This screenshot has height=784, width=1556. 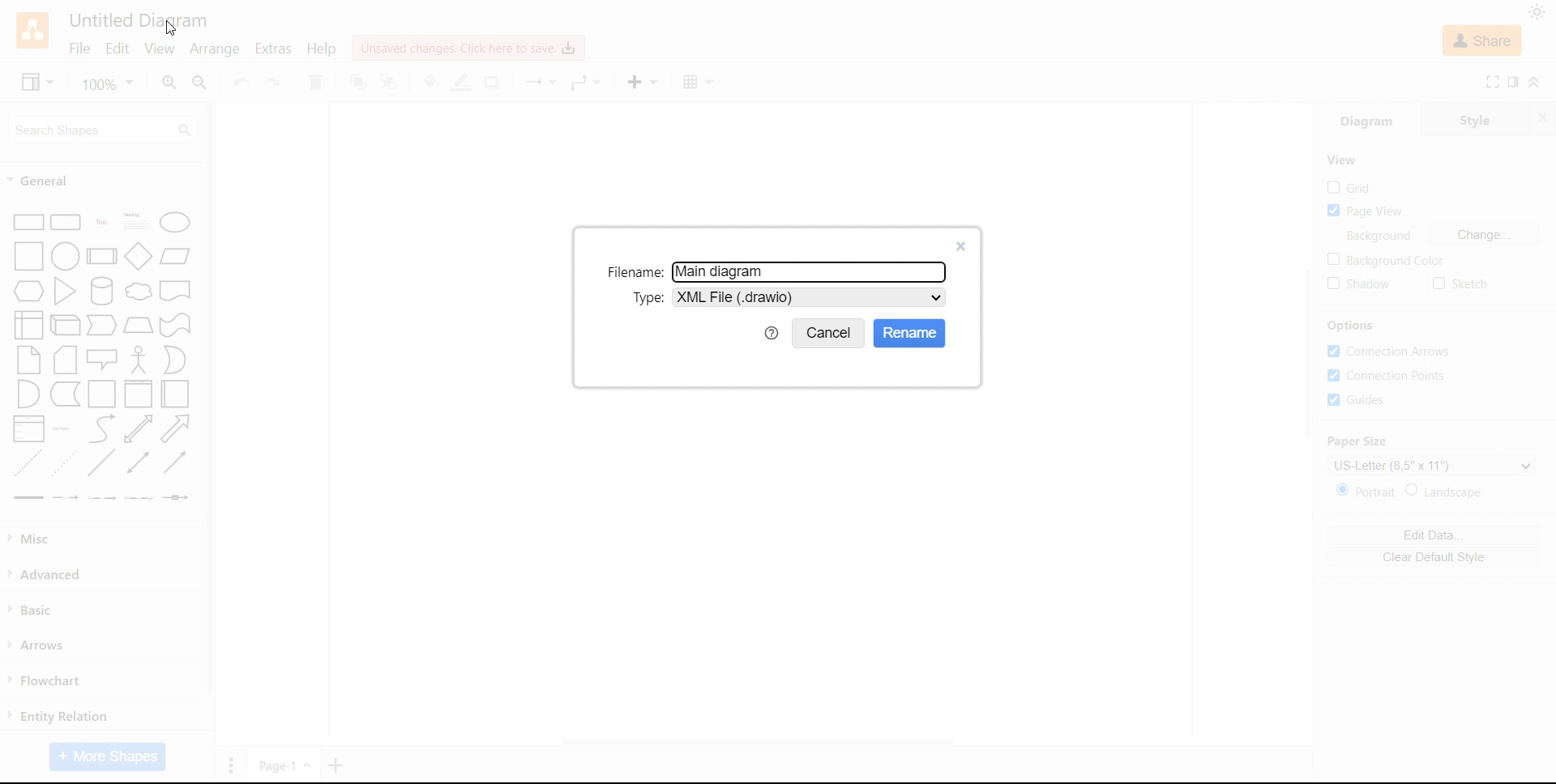 I want to click on text, so click(x=647, y=296).